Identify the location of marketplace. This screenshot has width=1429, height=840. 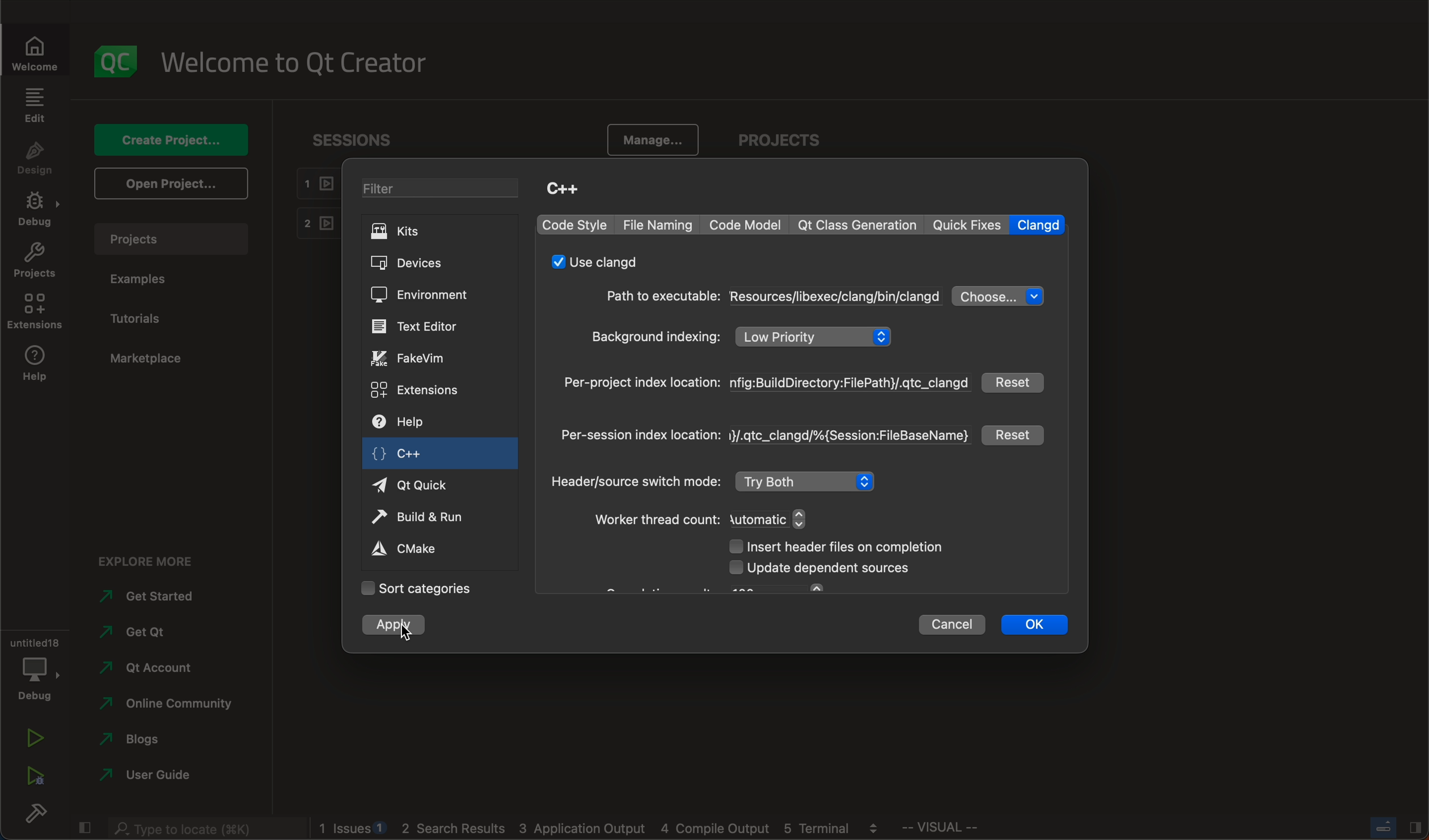
(164, 359).